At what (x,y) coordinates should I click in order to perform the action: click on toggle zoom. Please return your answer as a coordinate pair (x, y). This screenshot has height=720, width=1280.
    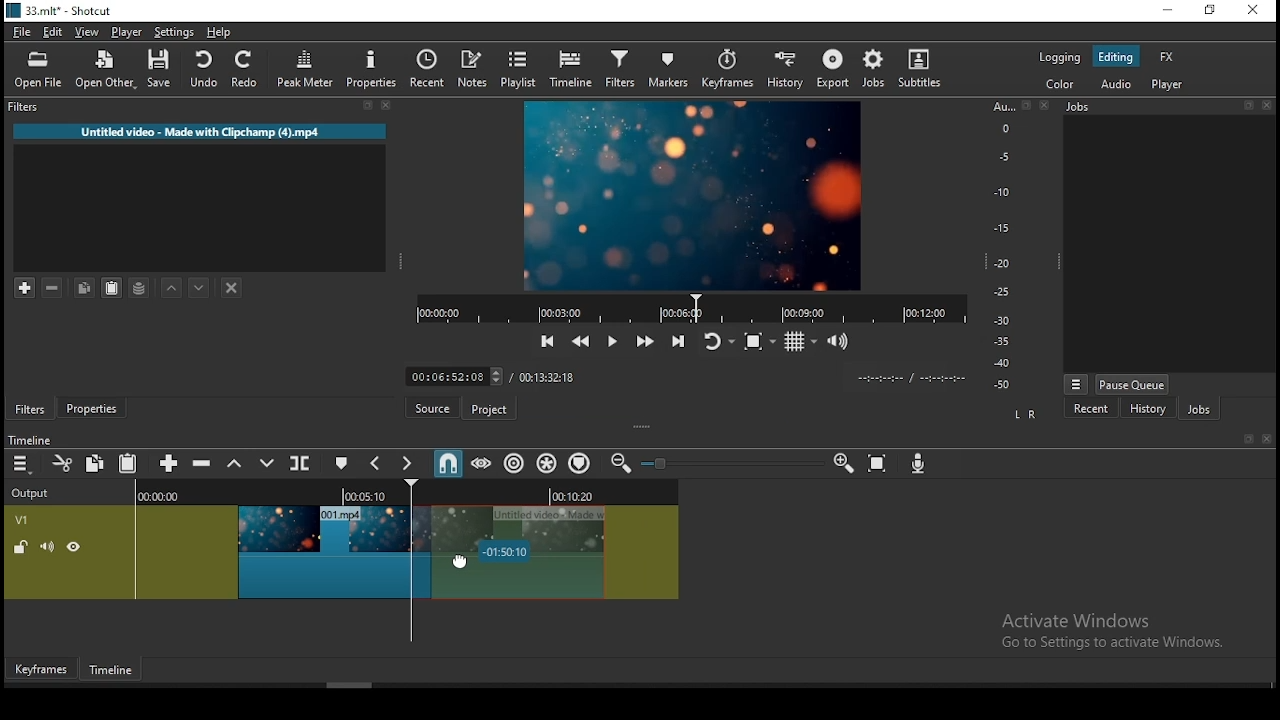
    Looking at the image, I should click on (759, 341).